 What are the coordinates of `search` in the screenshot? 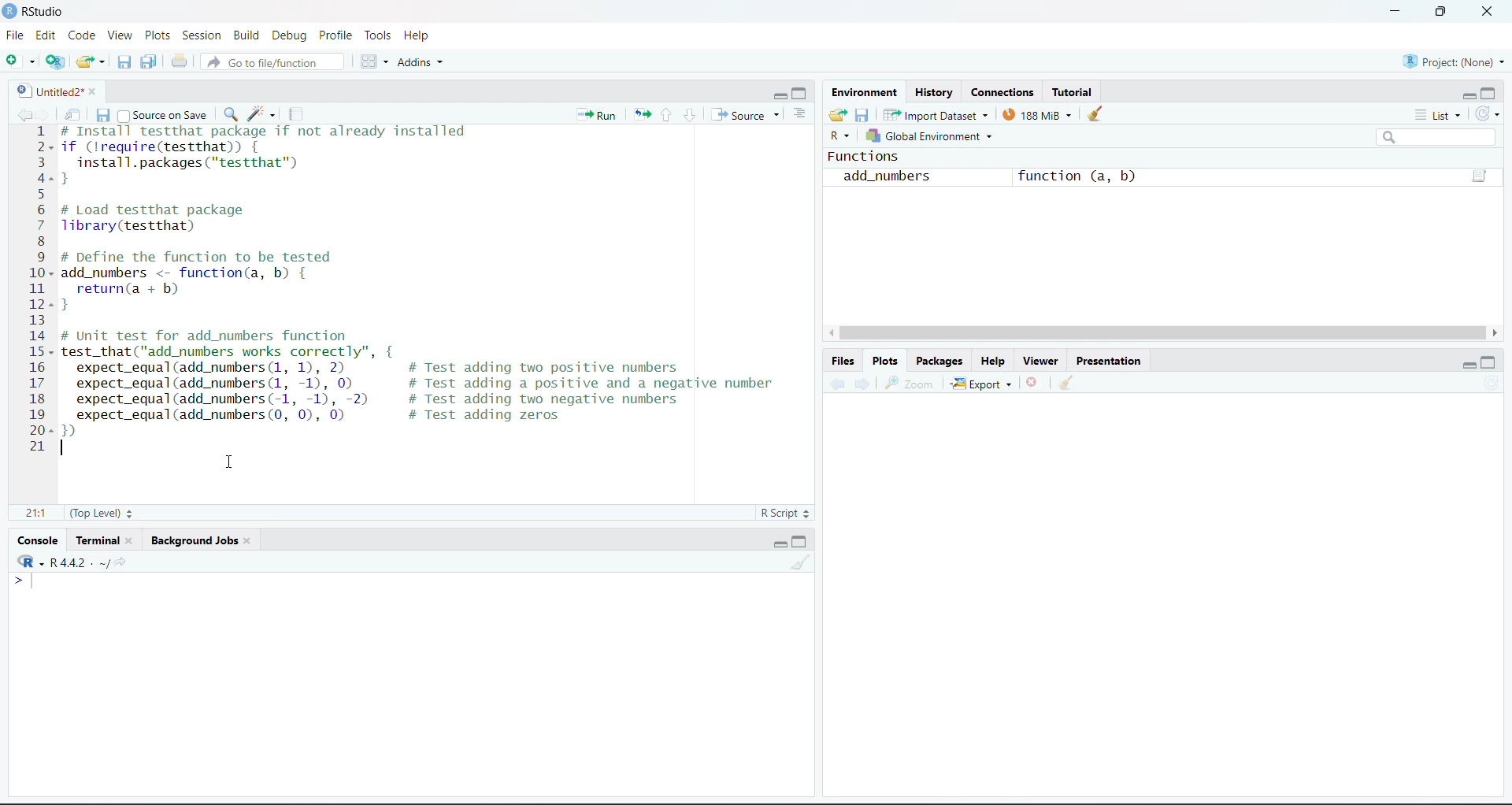 It's located at (1437, 138).